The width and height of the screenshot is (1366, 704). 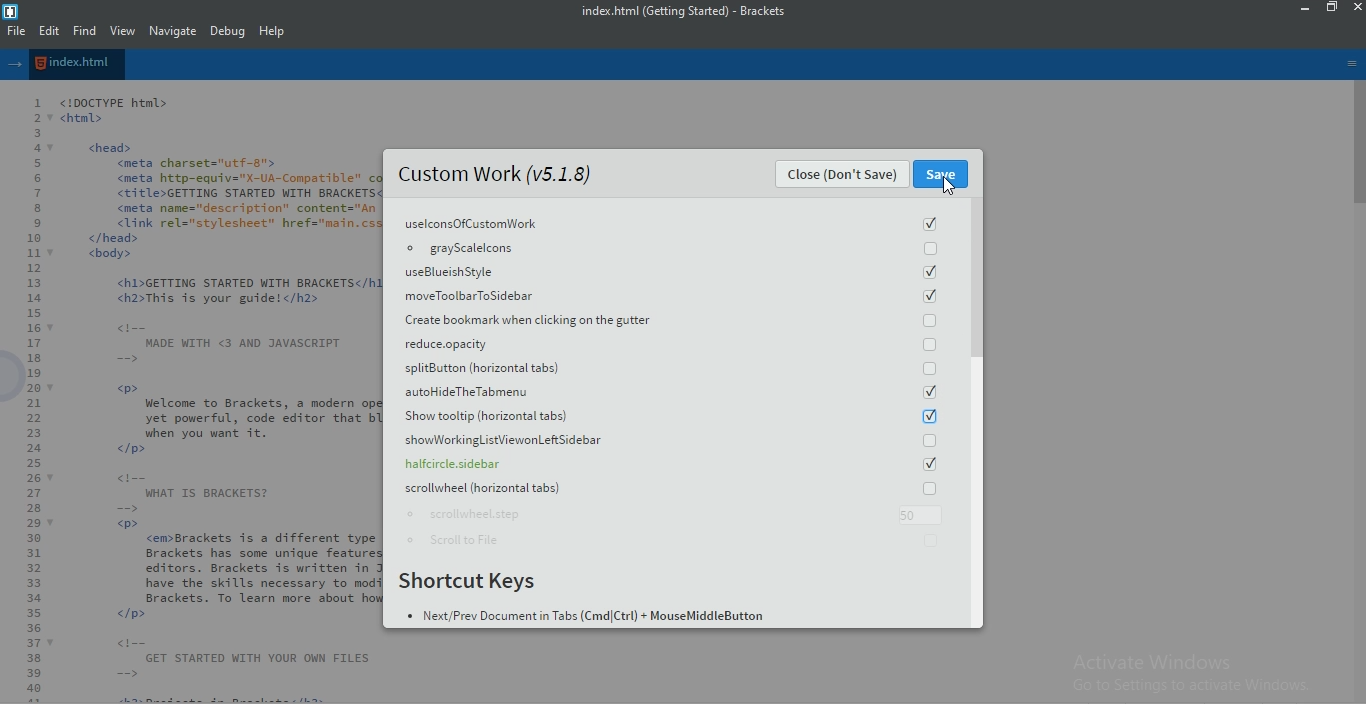 What do you see at coordinates (672, 272) in the screenshot?
I see `useBlueish Style` at bounding box center [672, 272].